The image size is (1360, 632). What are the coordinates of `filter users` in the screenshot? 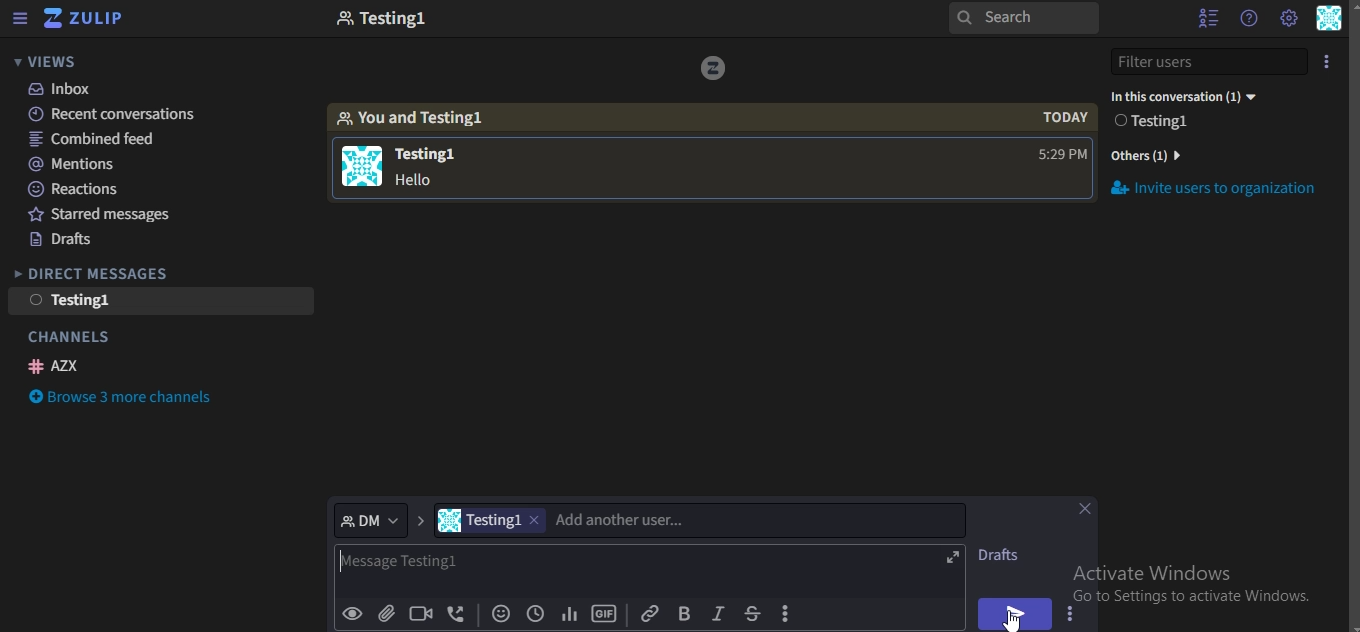 It's located at (1211, 59).